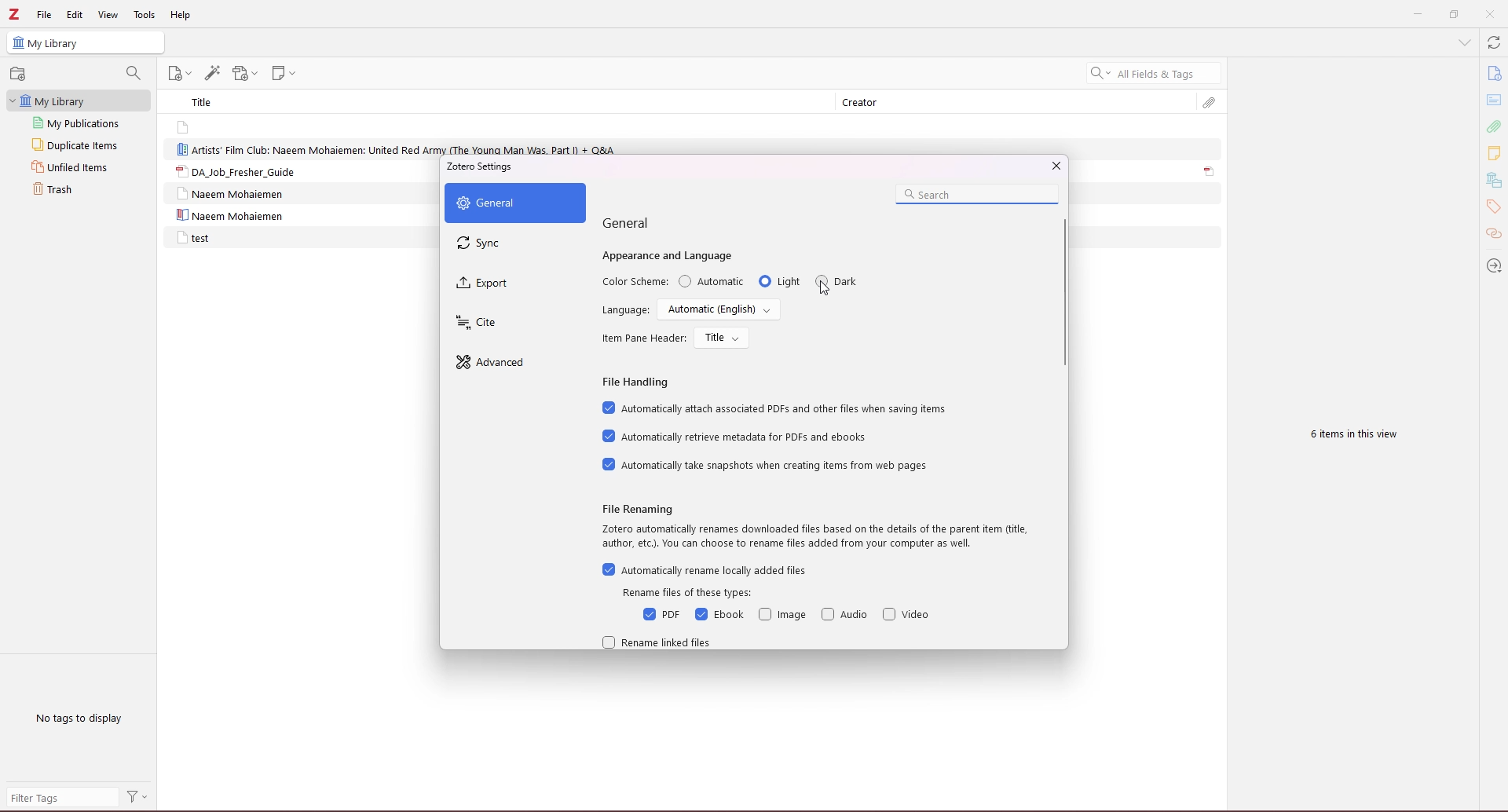 The height and width of the screenshot is (812, 1508). I want to click on minimize, so click(1415, 15).